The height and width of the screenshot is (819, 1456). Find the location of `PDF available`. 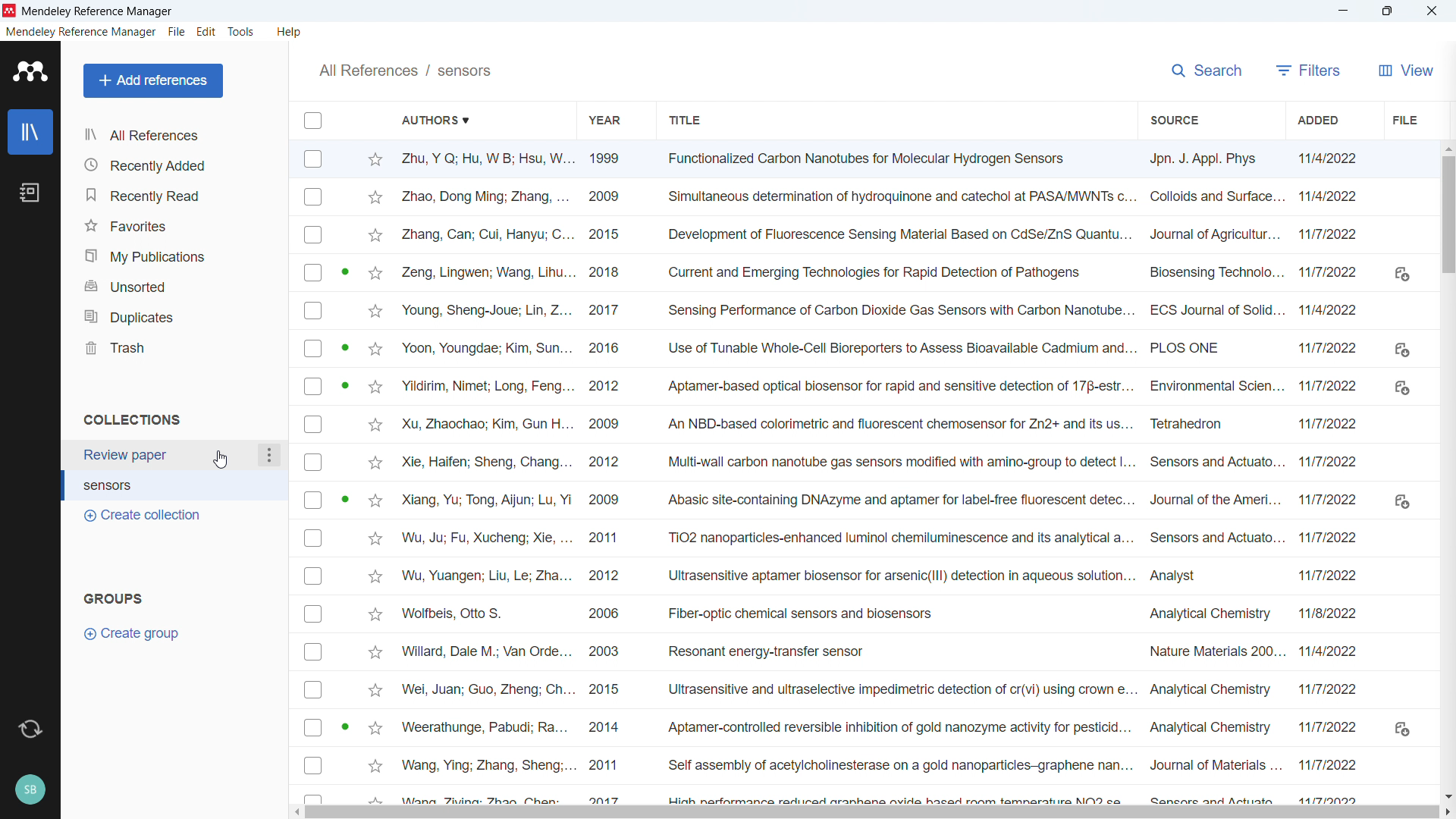

PDF available is located at coordinates (346, 385).